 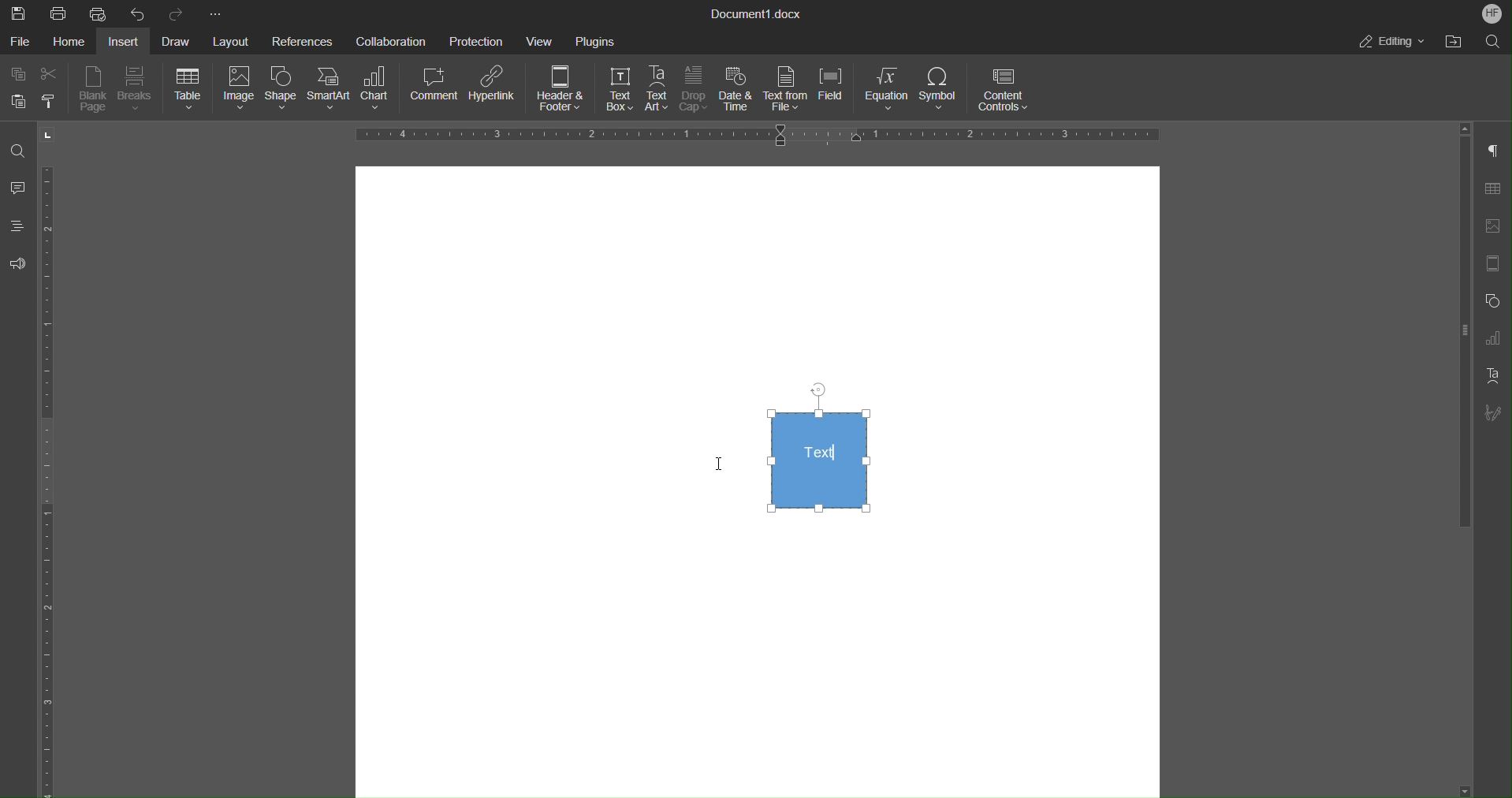 I want to click on Horizonatl Ruler, so click(x=752, y=136).